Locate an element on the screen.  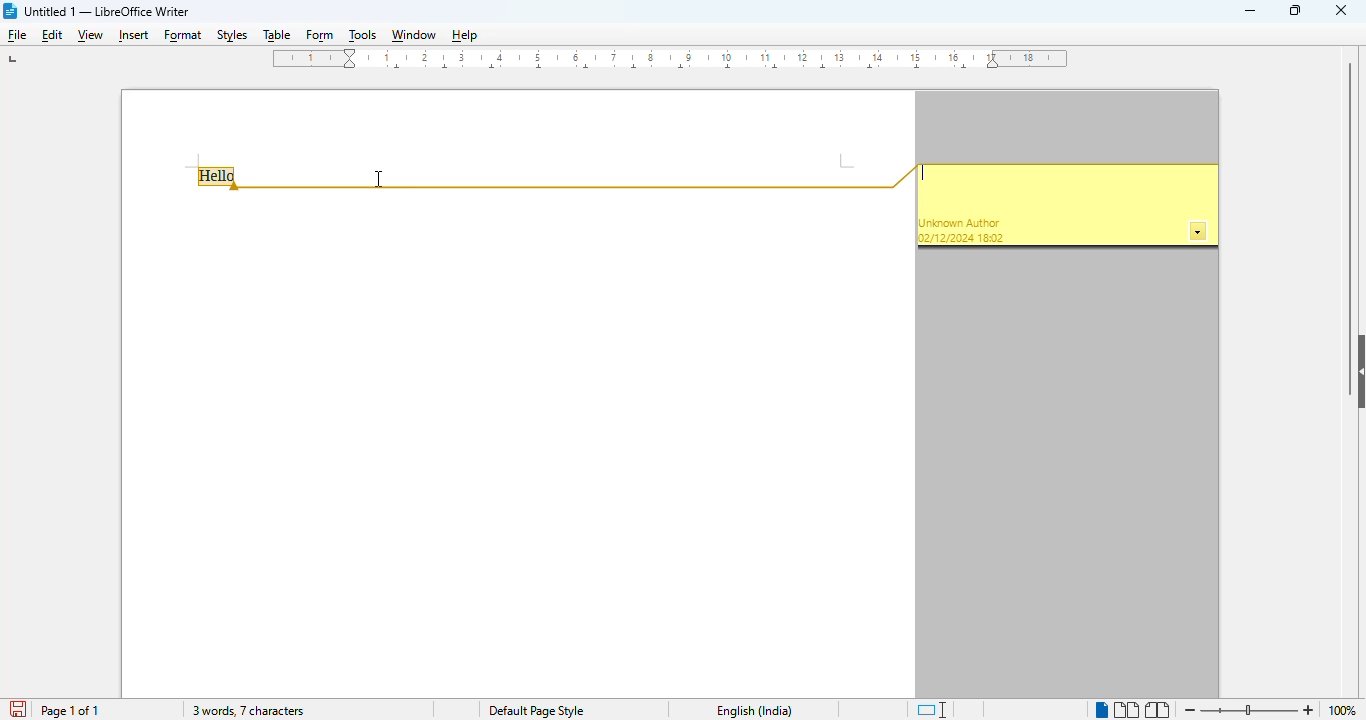
vertical scroll bar is located at coordinates (1349, 192).